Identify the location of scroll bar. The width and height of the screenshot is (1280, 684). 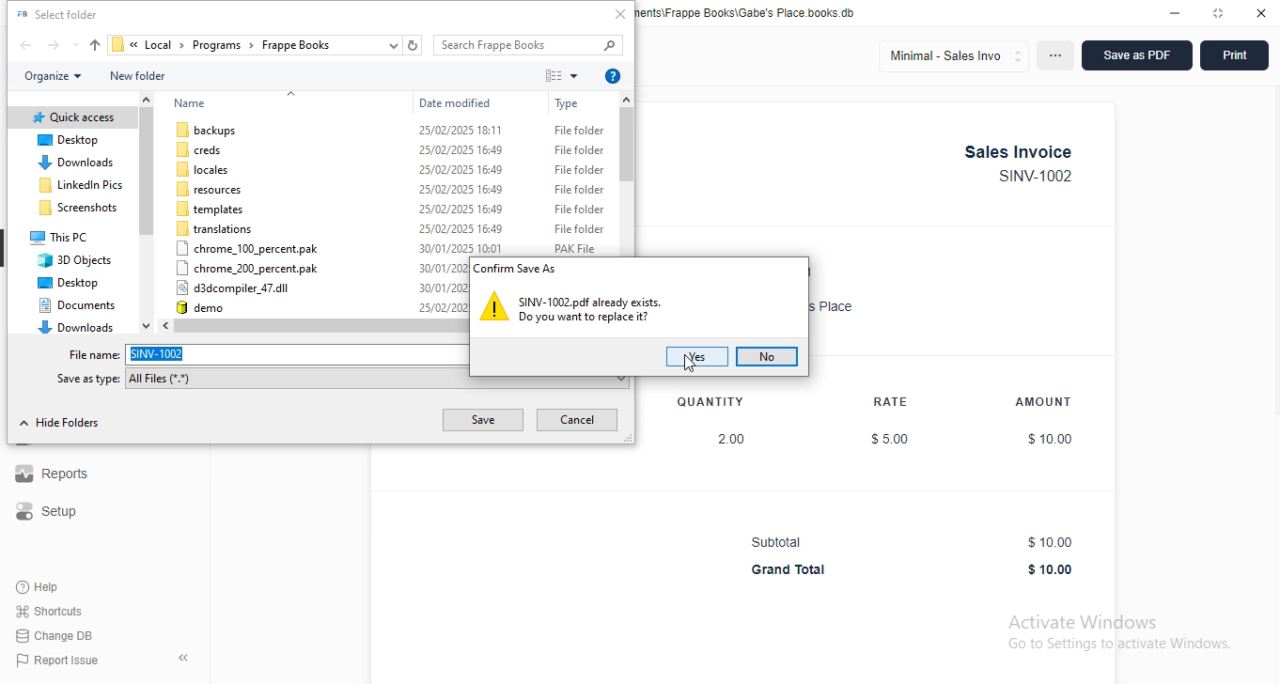
(628, 167).